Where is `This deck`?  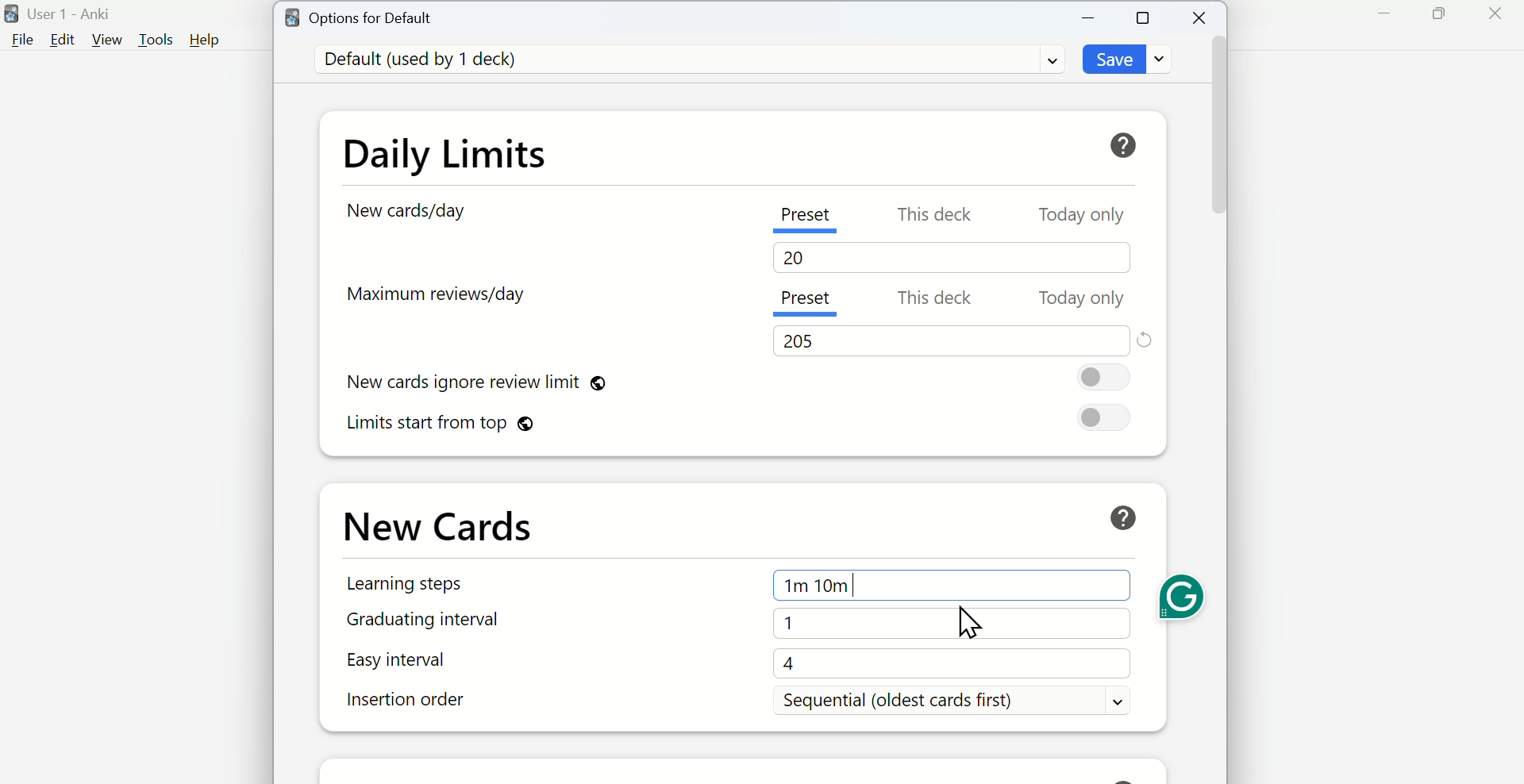
This deck is located at coordinates (937, 215).